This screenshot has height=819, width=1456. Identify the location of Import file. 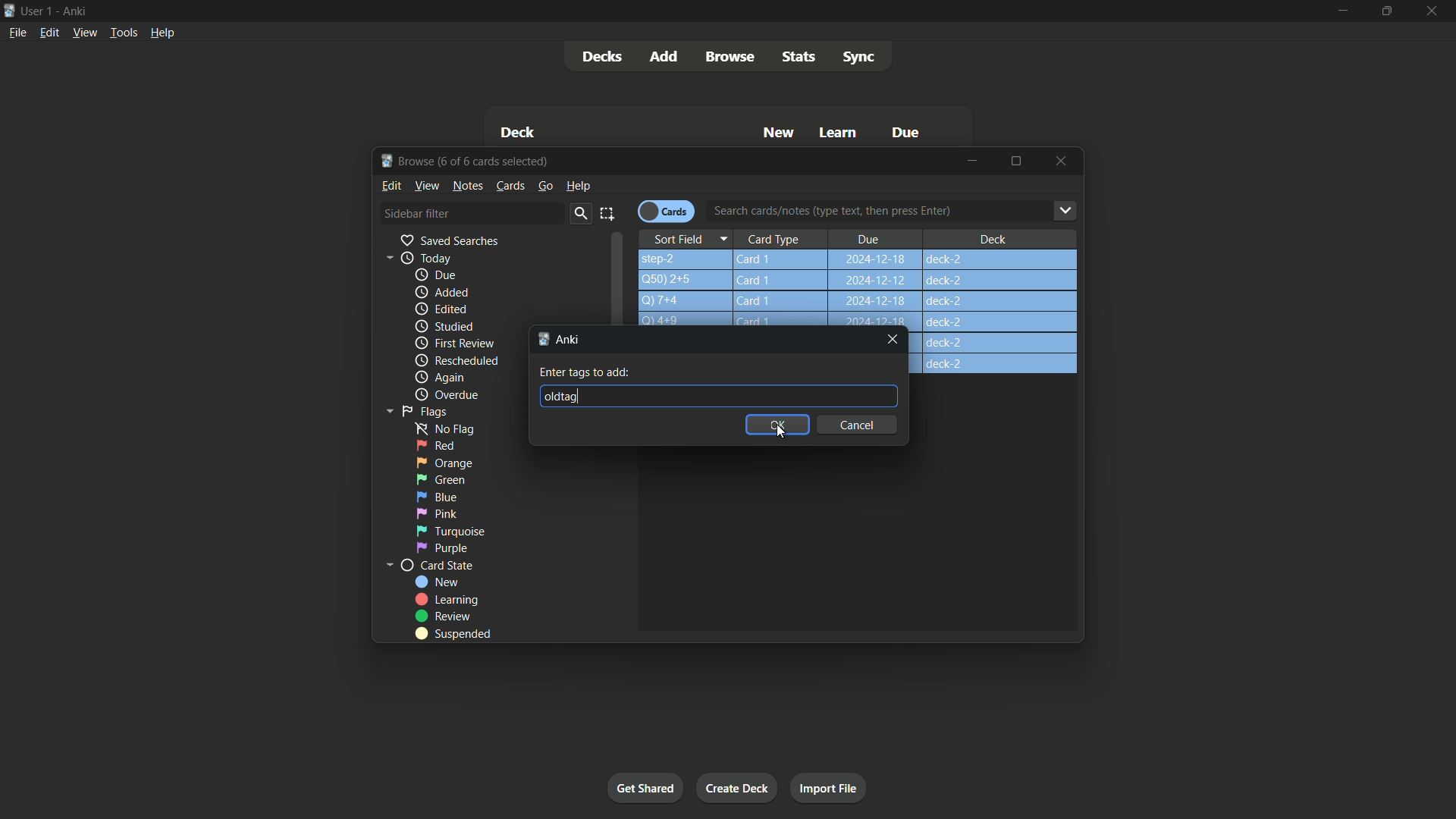
(830, 789).